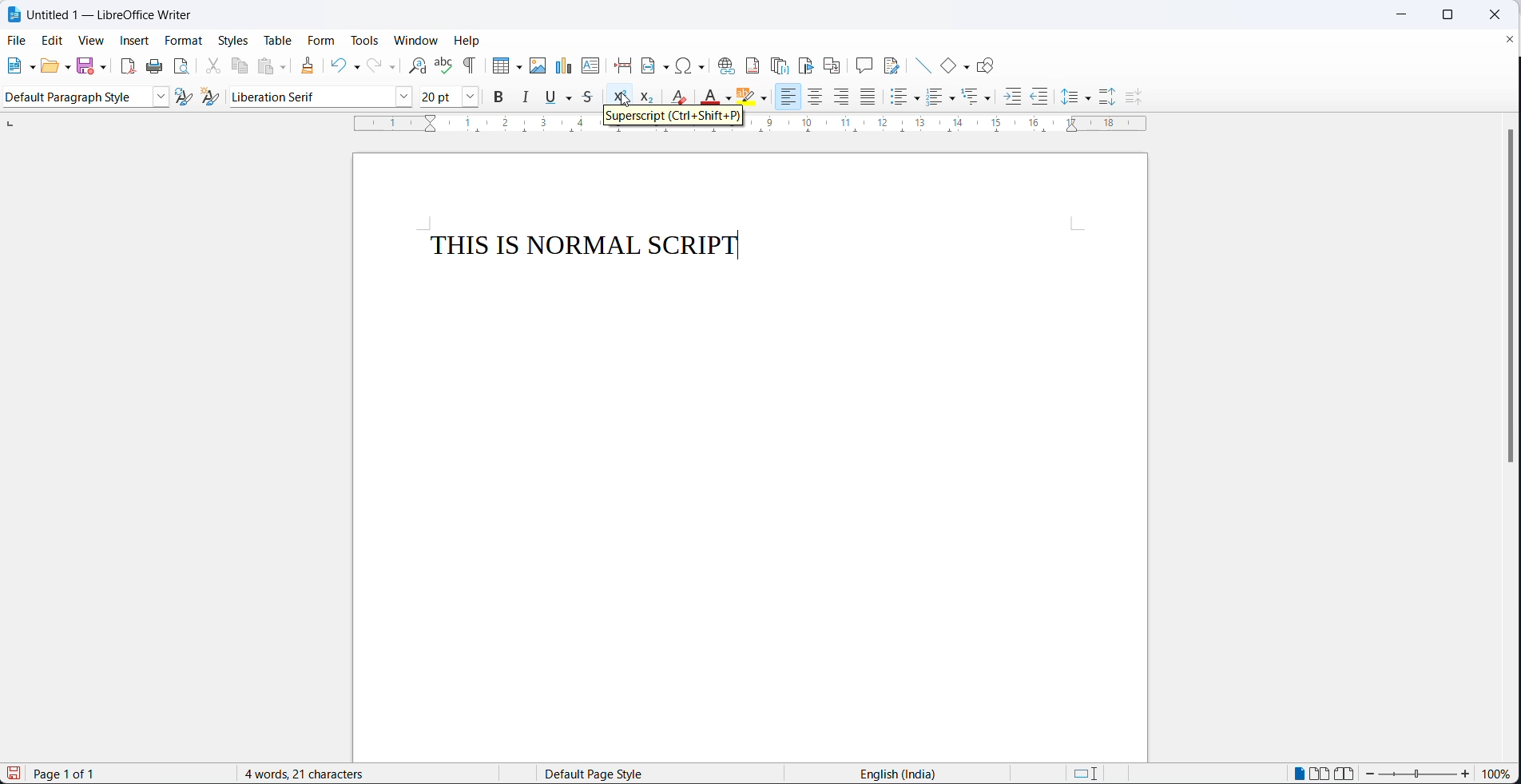 Image resolution: width=1521 pixels, height=784 pixels. I want to click on close document, so click(1508, 38).